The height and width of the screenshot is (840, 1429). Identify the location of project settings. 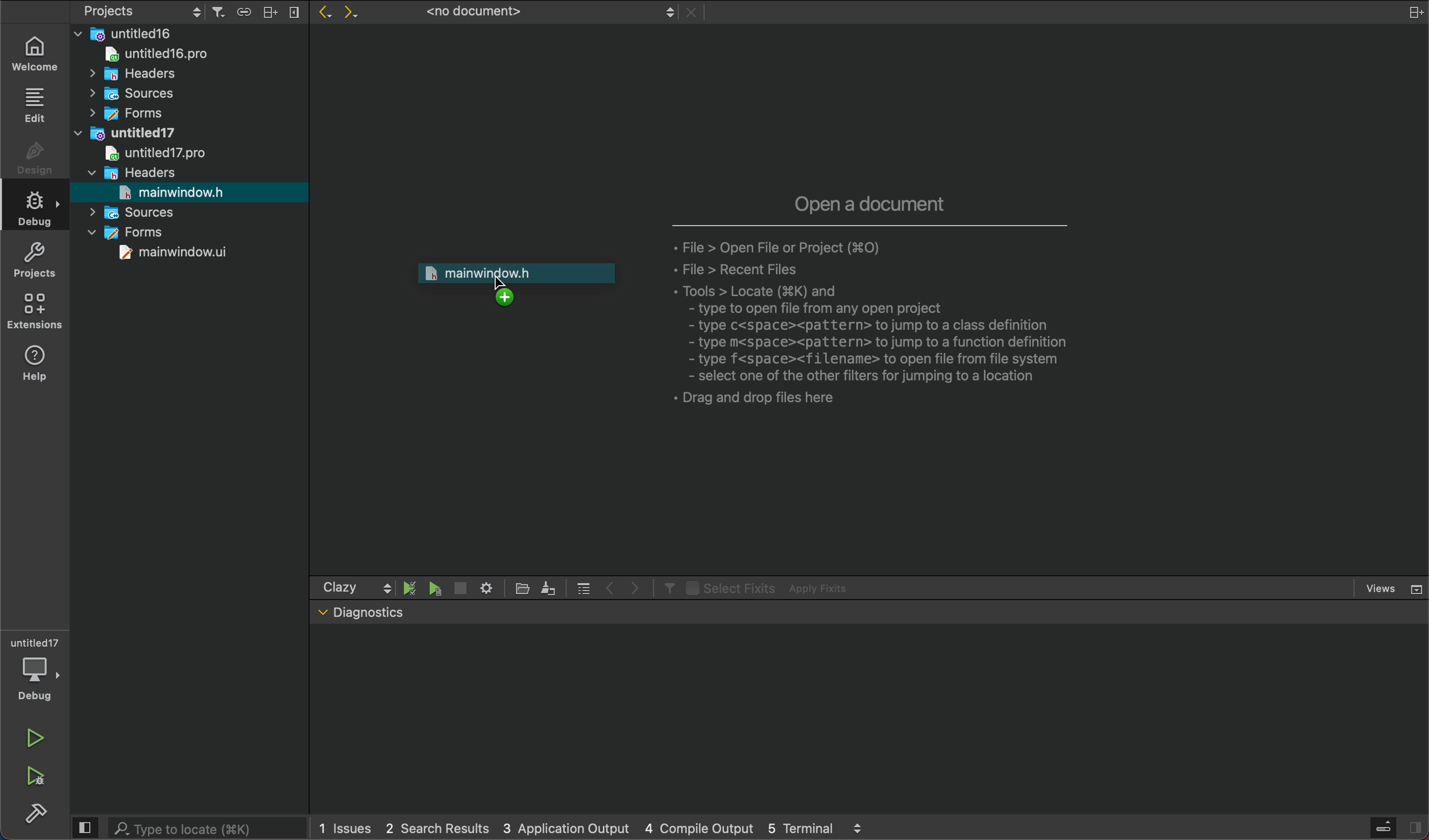
(143, 11).